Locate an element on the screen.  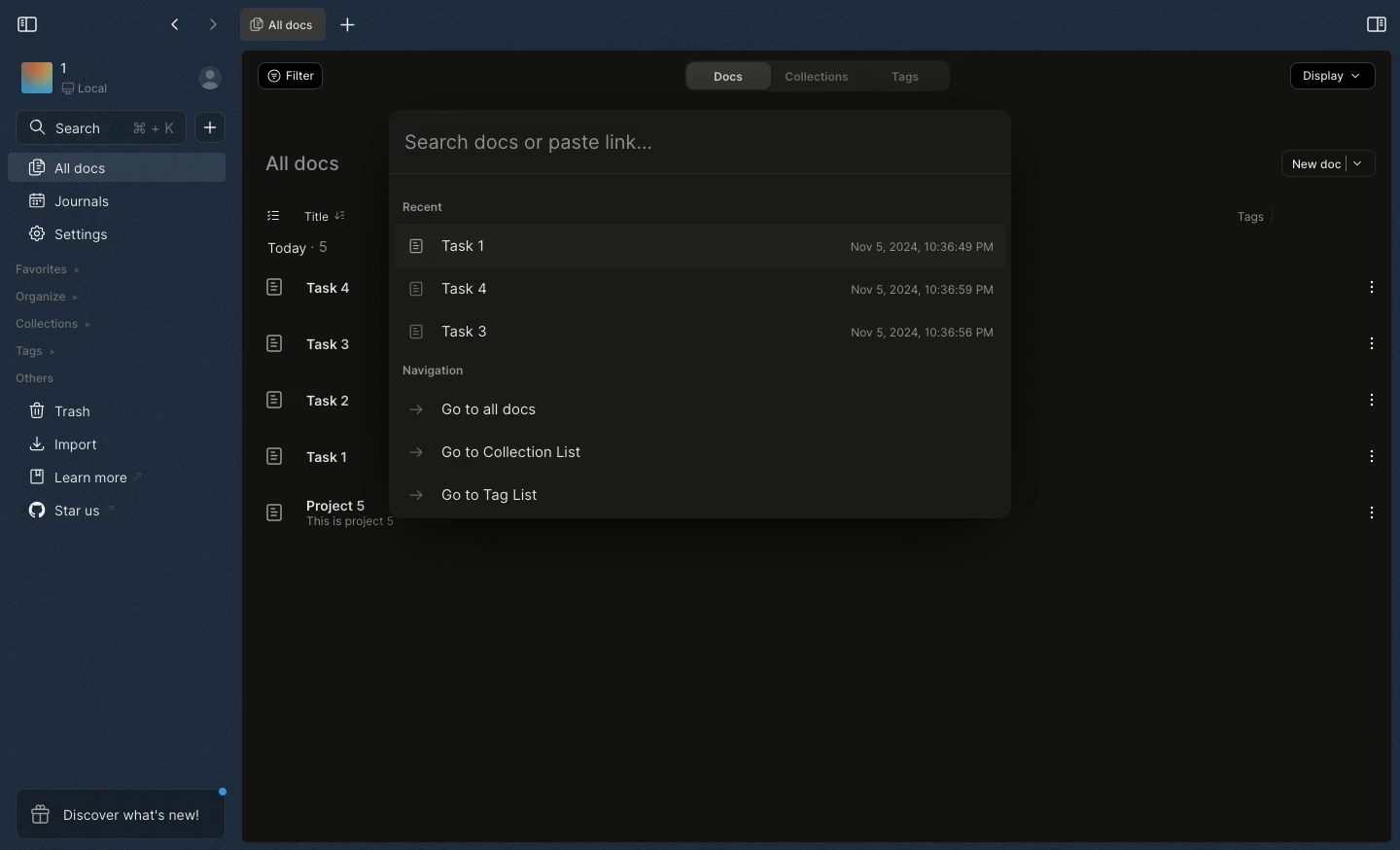
Collections is located at coordinates (821, 74).